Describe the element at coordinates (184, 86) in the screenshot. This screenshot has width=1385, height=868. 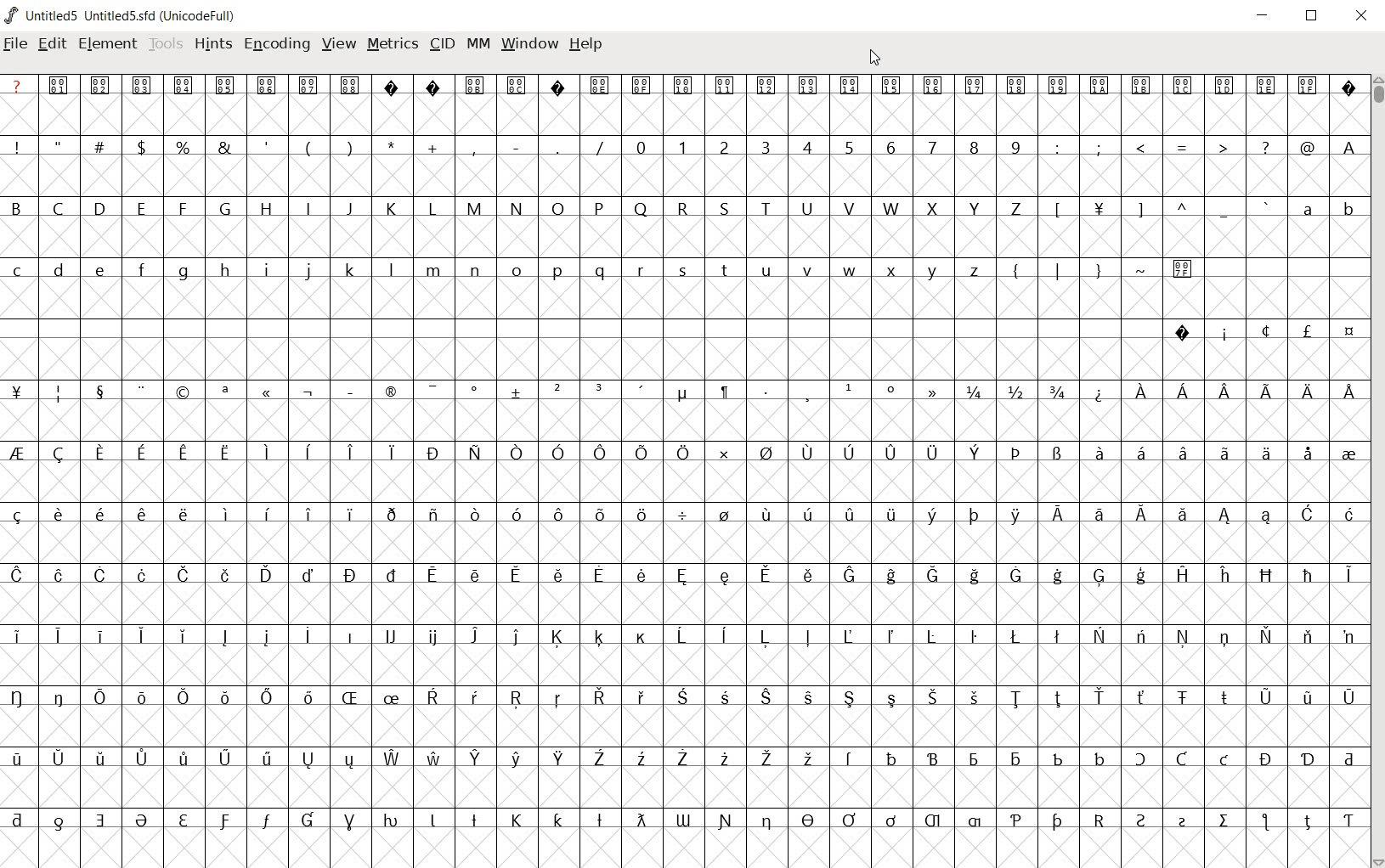
I see `Symbol` at that location.